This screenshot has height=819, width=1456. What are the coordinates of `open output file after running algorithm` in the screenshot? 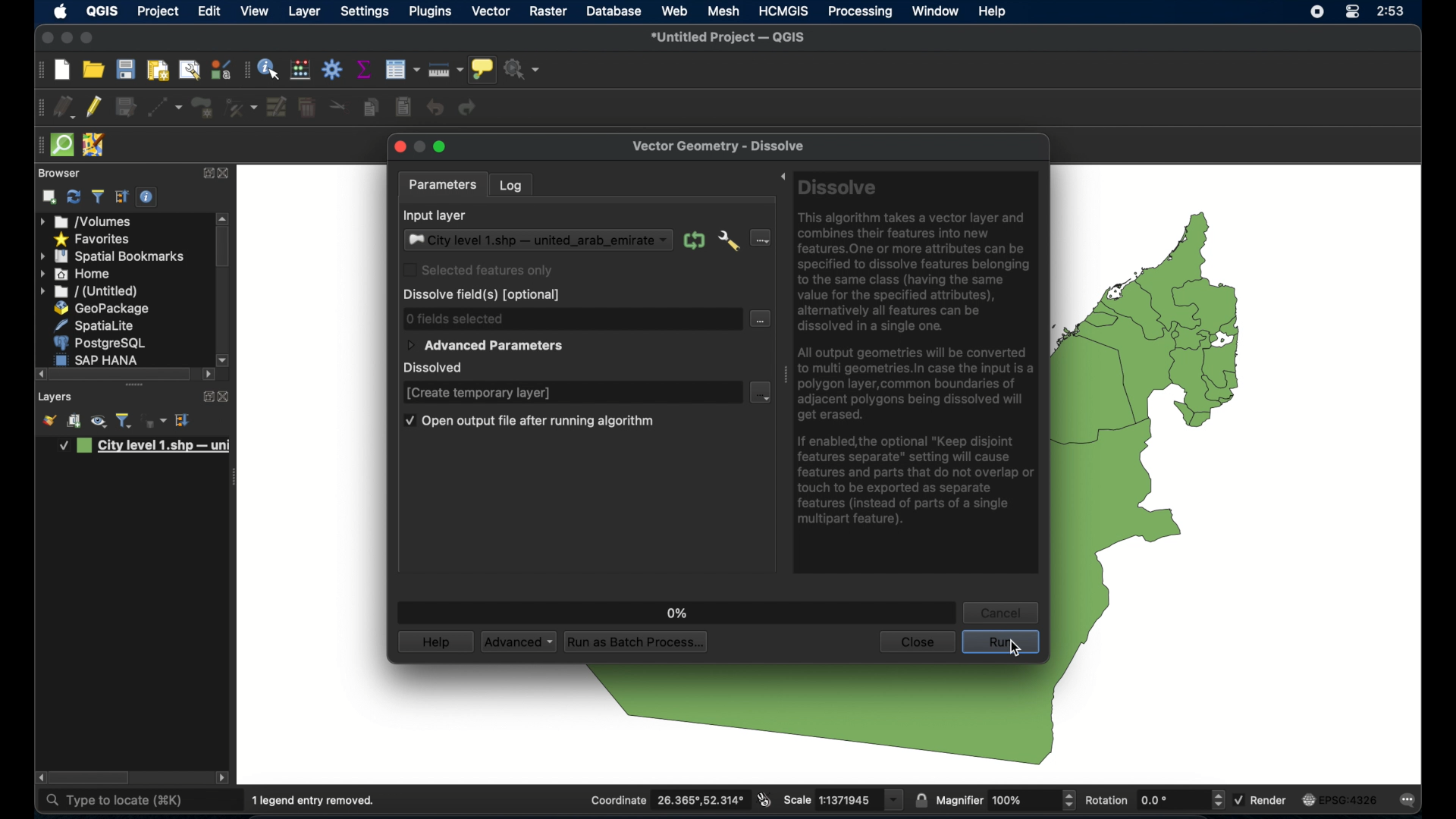 It's located at (527, 422).